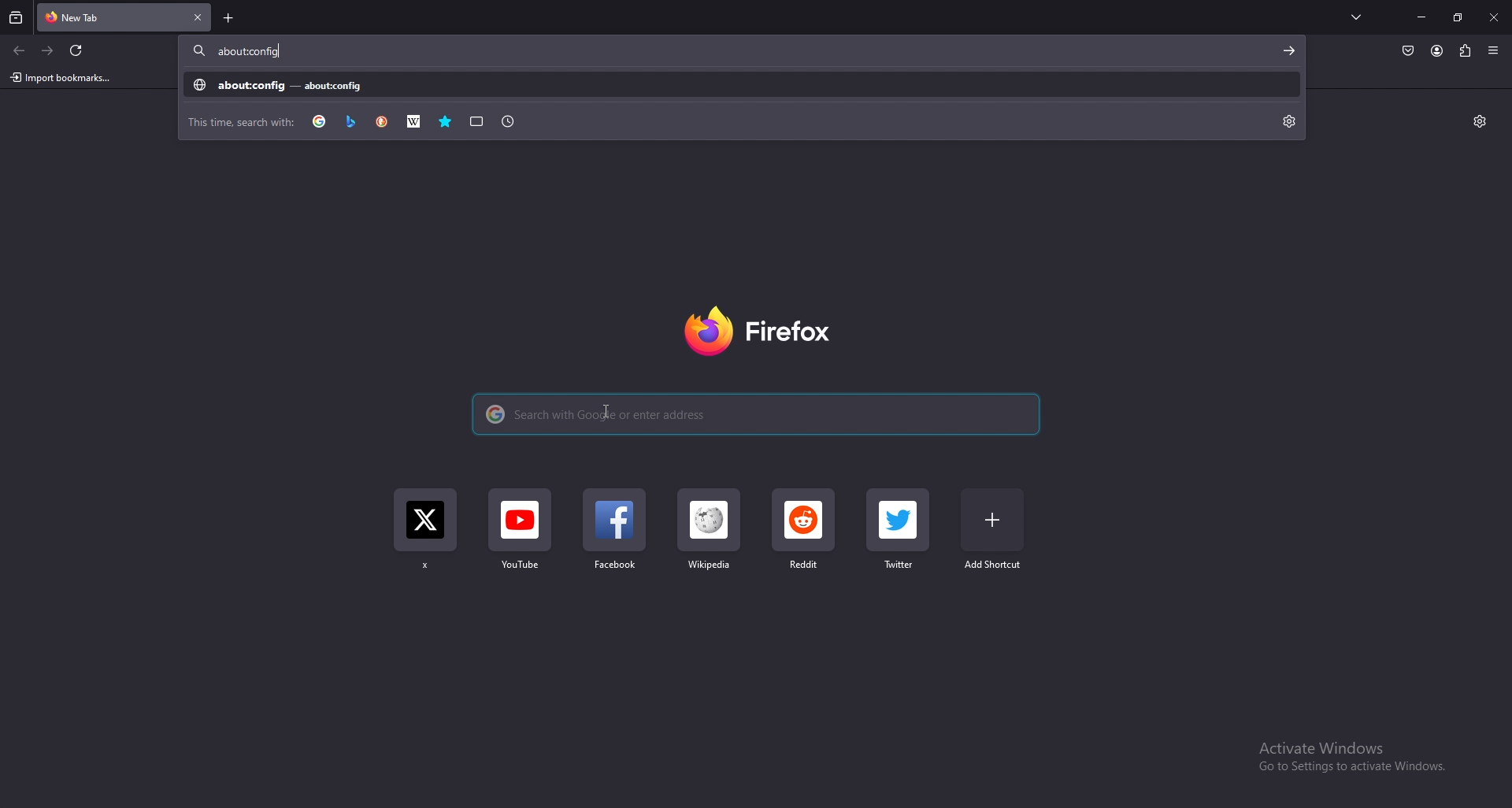 This screenshot has height=808, width=1512. What do you see at coordinates (476, 120) in the screenshot?
I see `tabs` at bounding box center [476, 120].